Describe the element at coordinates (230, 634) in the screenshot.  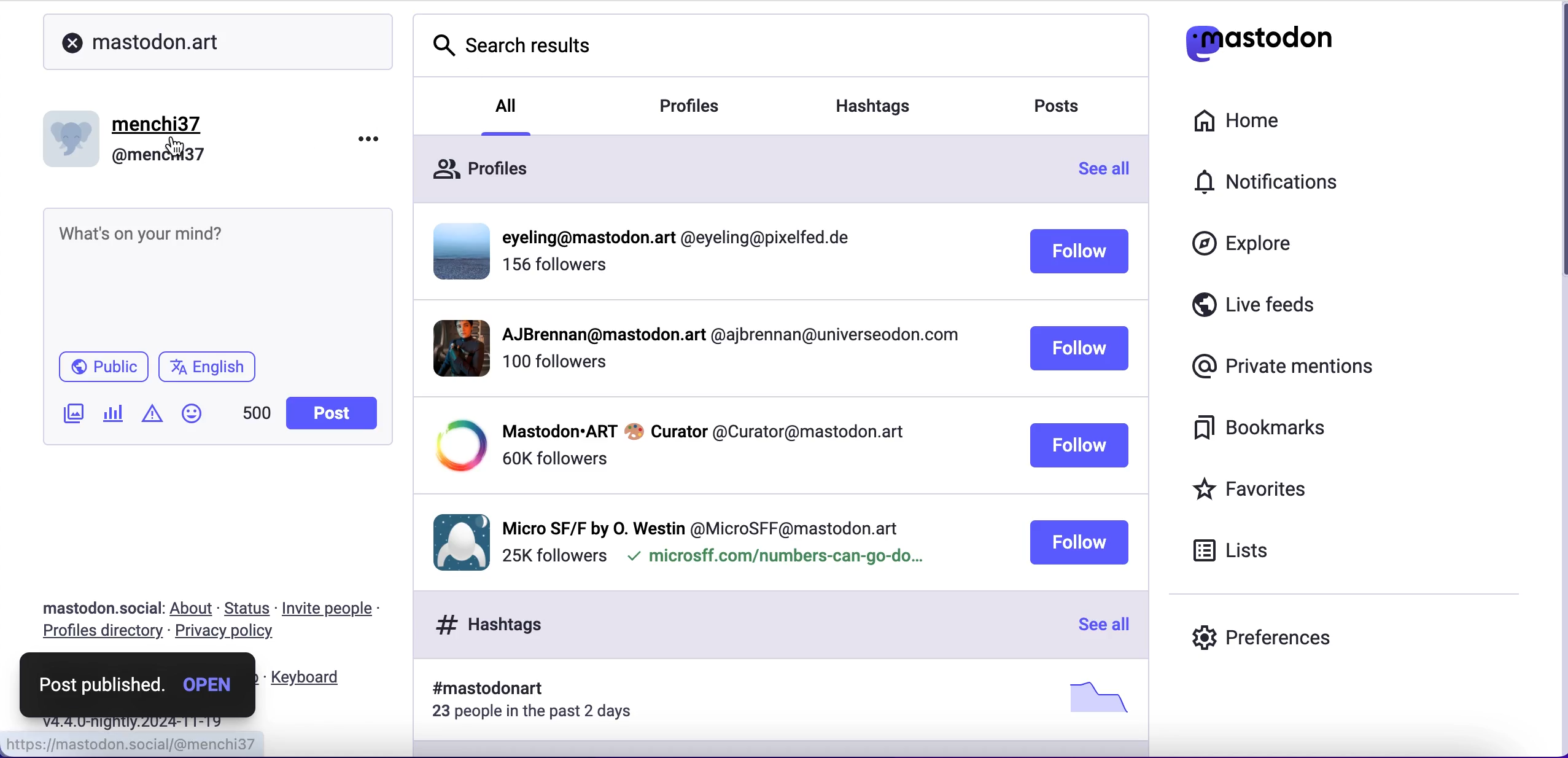
I see `privacy policy` at that location.